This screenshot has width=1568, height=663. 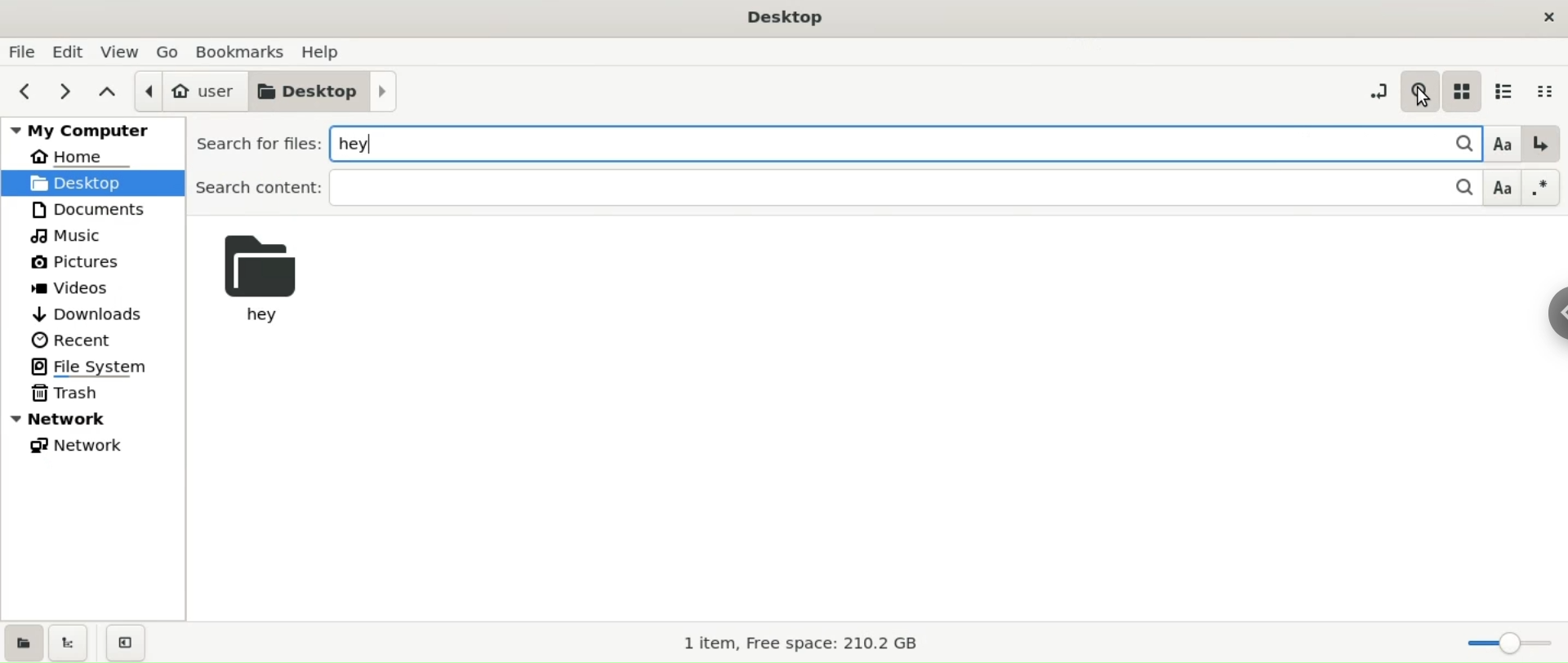 I want to click on view, so click(x=118, y=51).